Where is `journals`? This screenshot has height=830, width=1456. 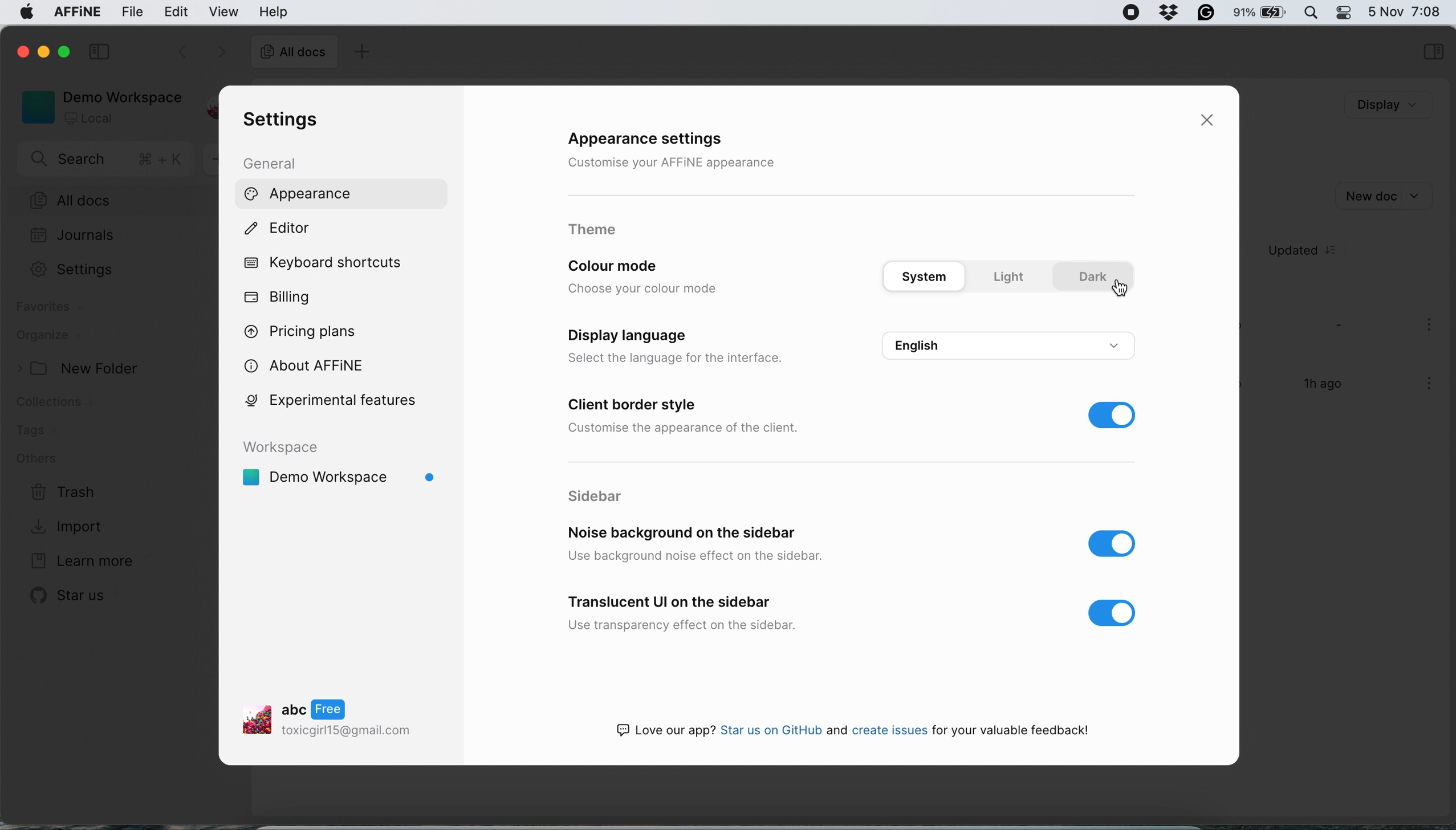 journals is located at coordinates (74, 234).